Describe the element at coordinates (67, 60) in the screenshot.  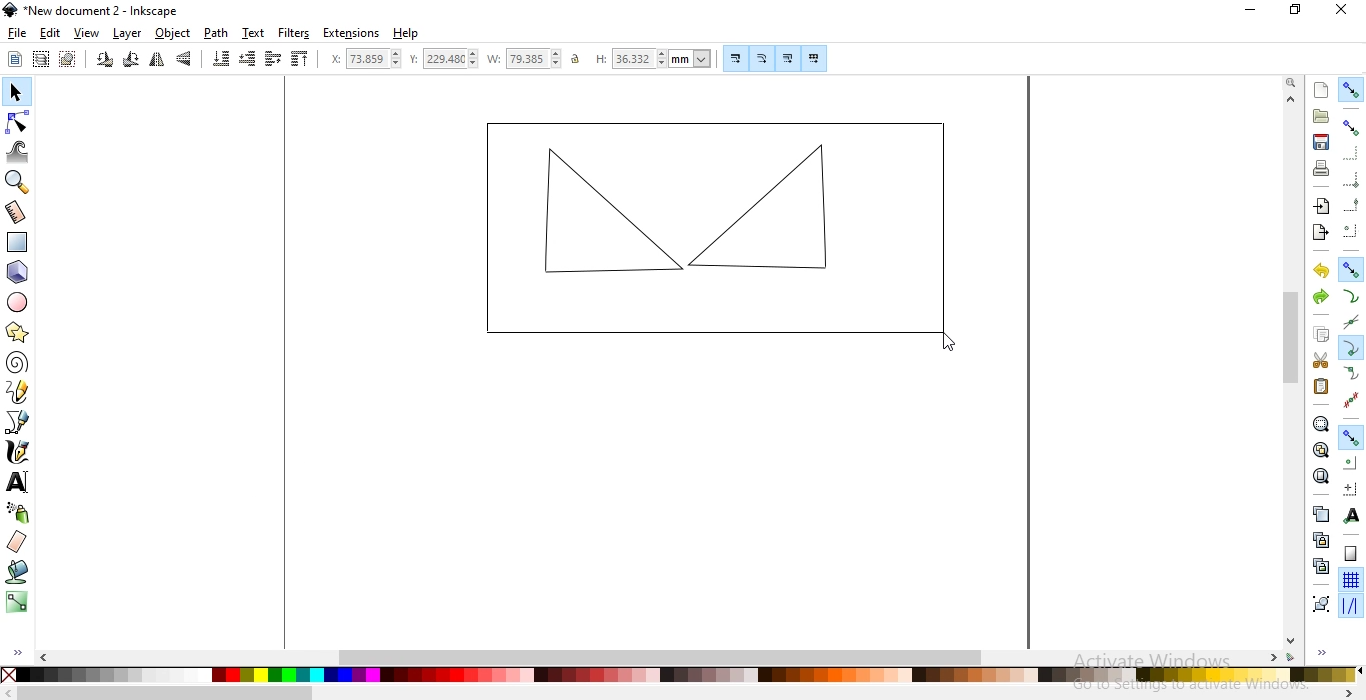
I see `deselect any selected objects or nodes` at that location.